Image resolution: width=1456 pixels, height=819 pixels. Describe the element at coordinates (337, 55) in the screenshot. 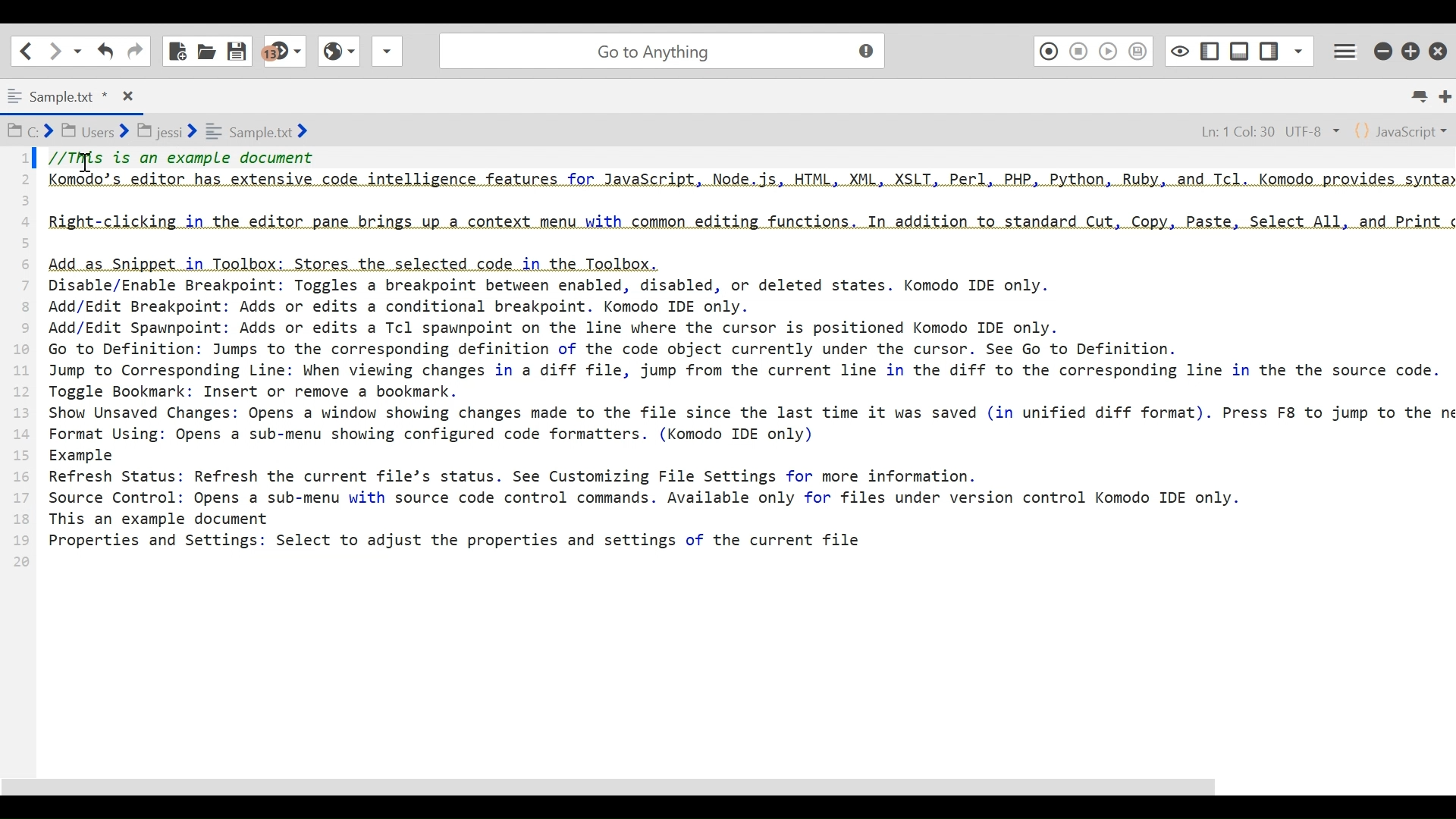

I see `web` at that location.